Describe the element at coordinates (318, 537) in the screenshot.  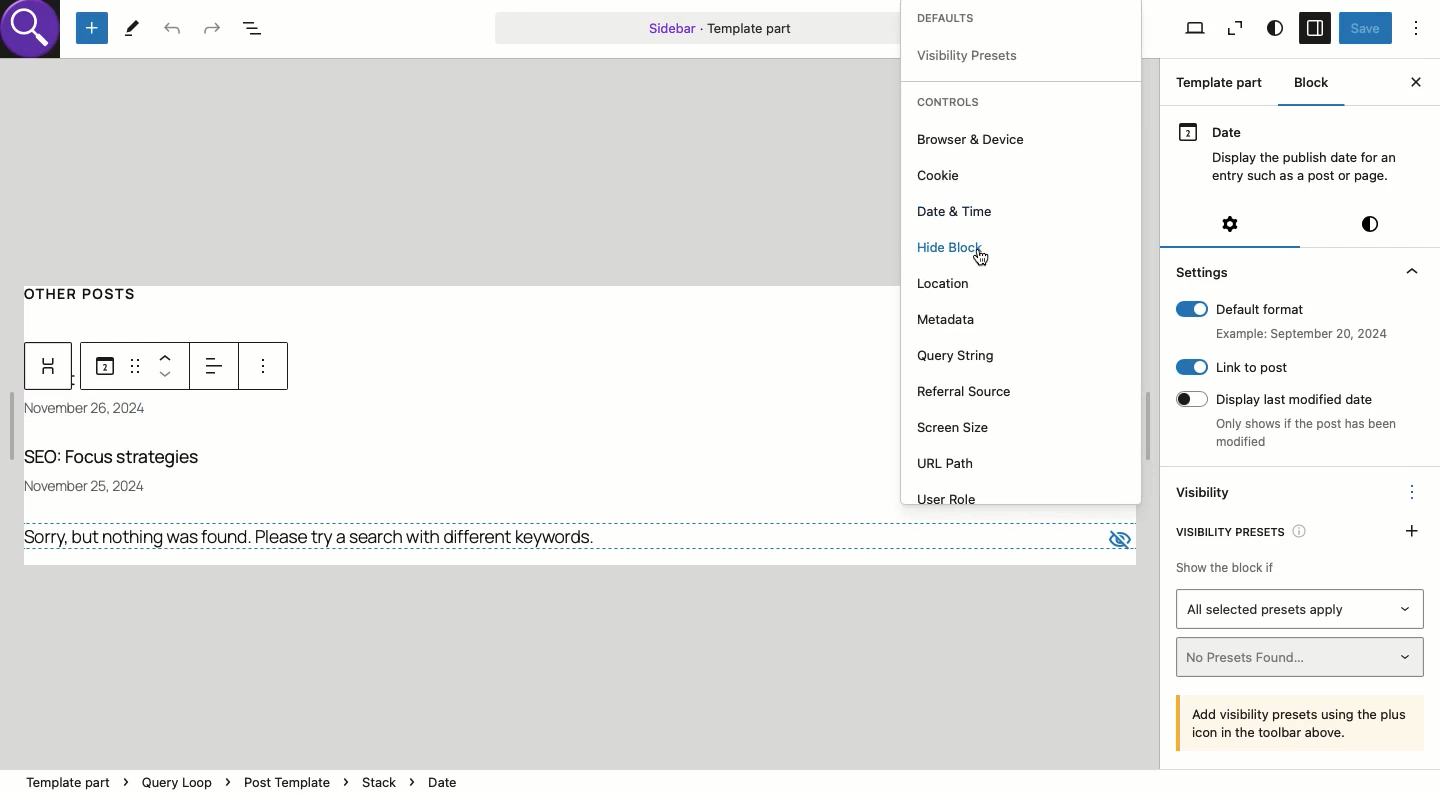
I see `No results` at that location.